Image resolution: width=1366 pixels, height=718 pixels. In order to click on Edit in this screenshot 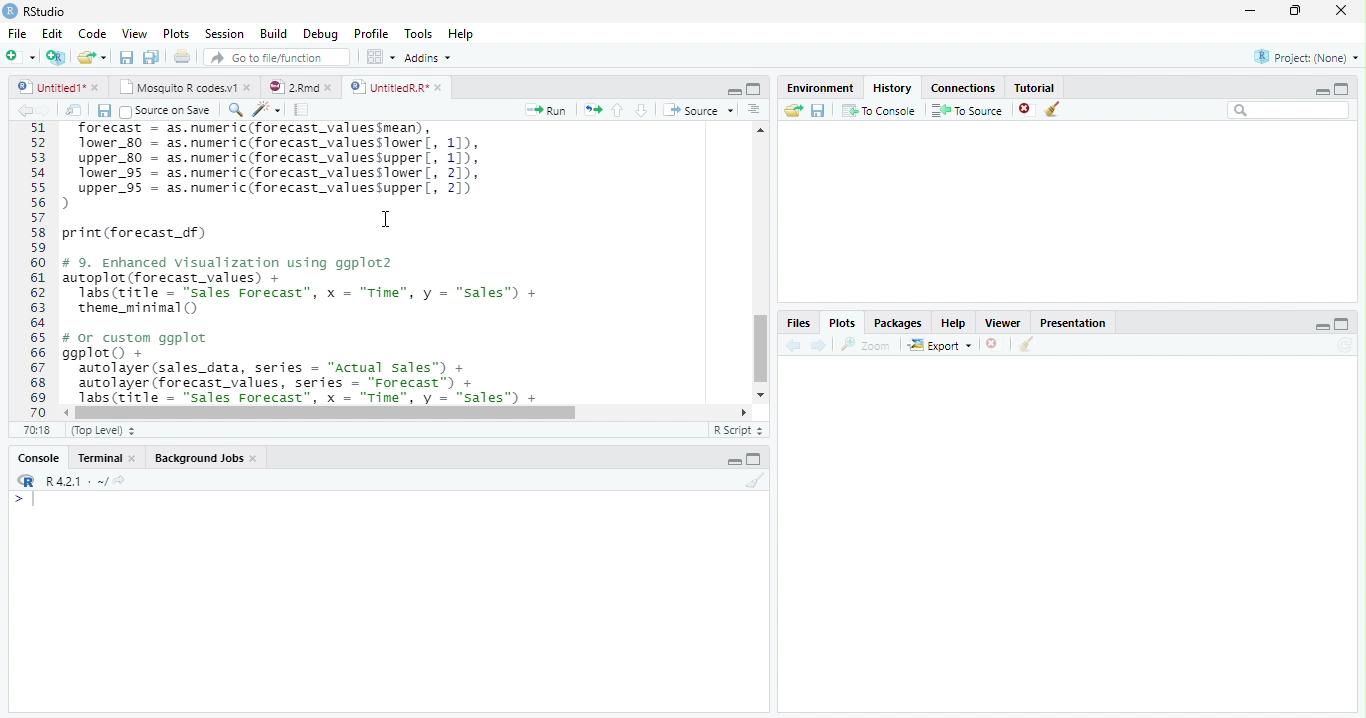, I will do `click(53, 33)`.